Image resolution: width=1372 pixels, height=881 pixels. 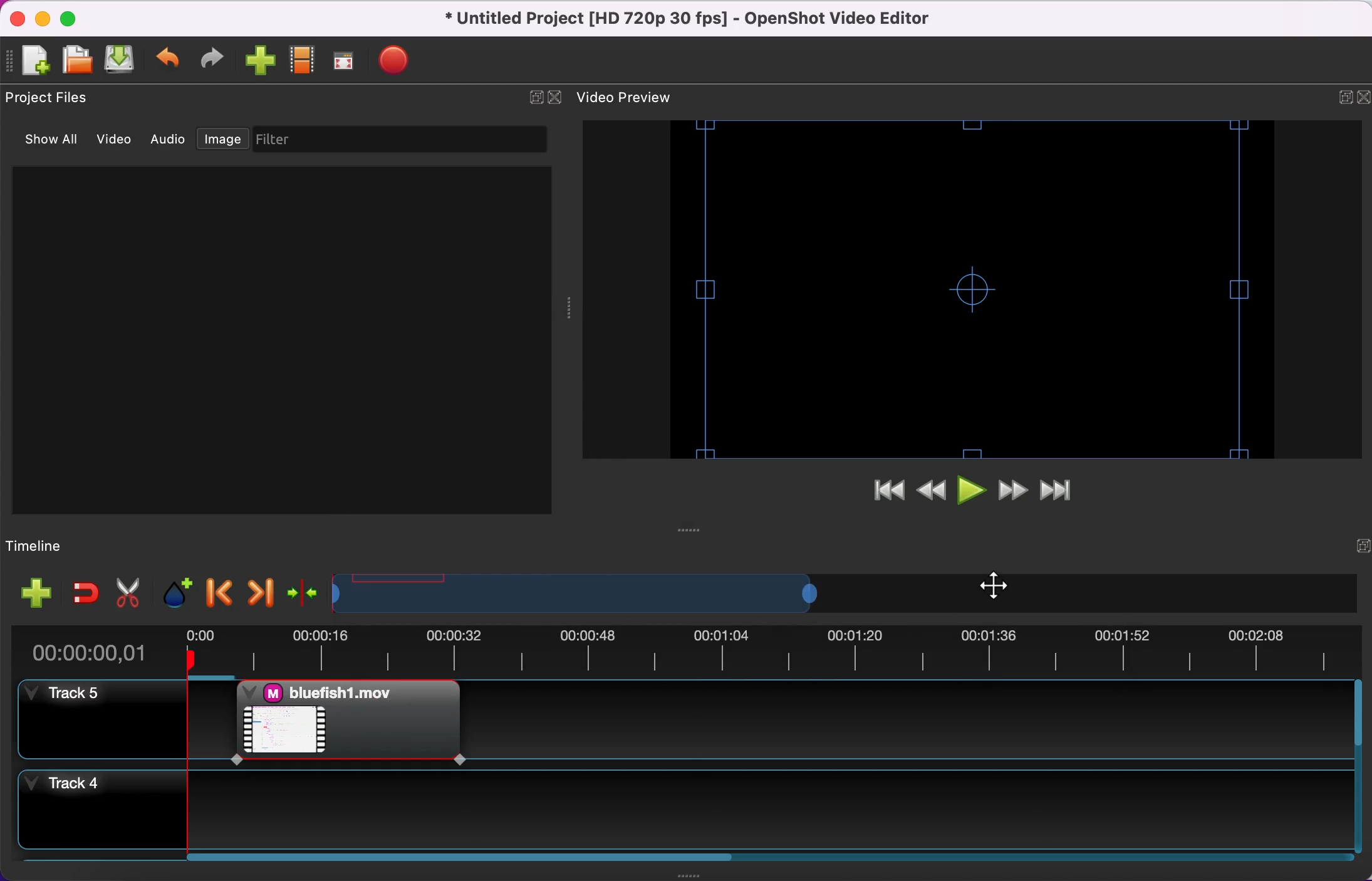 I want to click on audio, so click(x=169, y=142).